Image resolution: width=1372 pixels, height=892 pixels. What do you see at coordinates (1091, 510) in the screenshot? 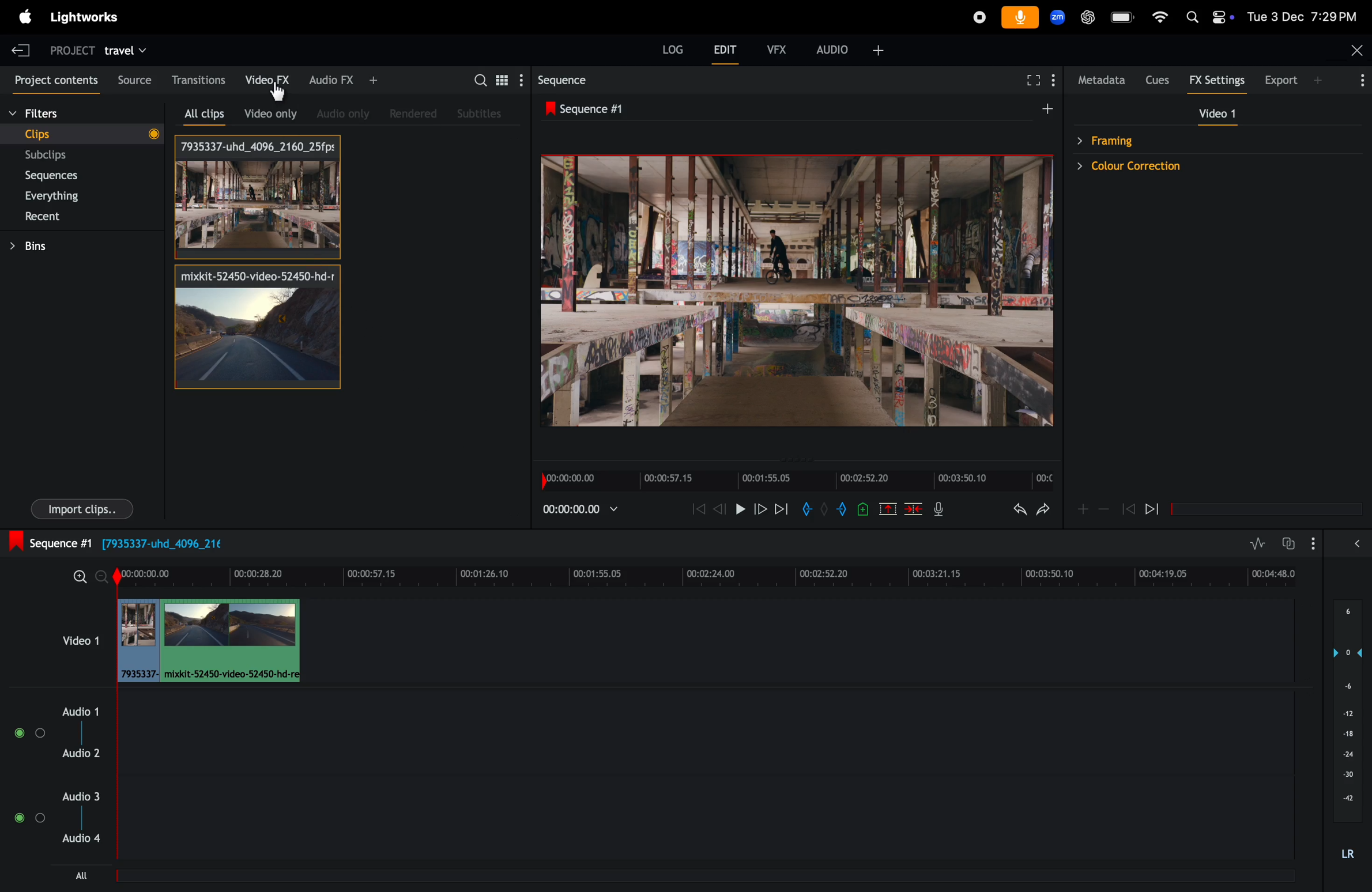
I see `zoom in zoom out` at bounding box center [1091, 510].